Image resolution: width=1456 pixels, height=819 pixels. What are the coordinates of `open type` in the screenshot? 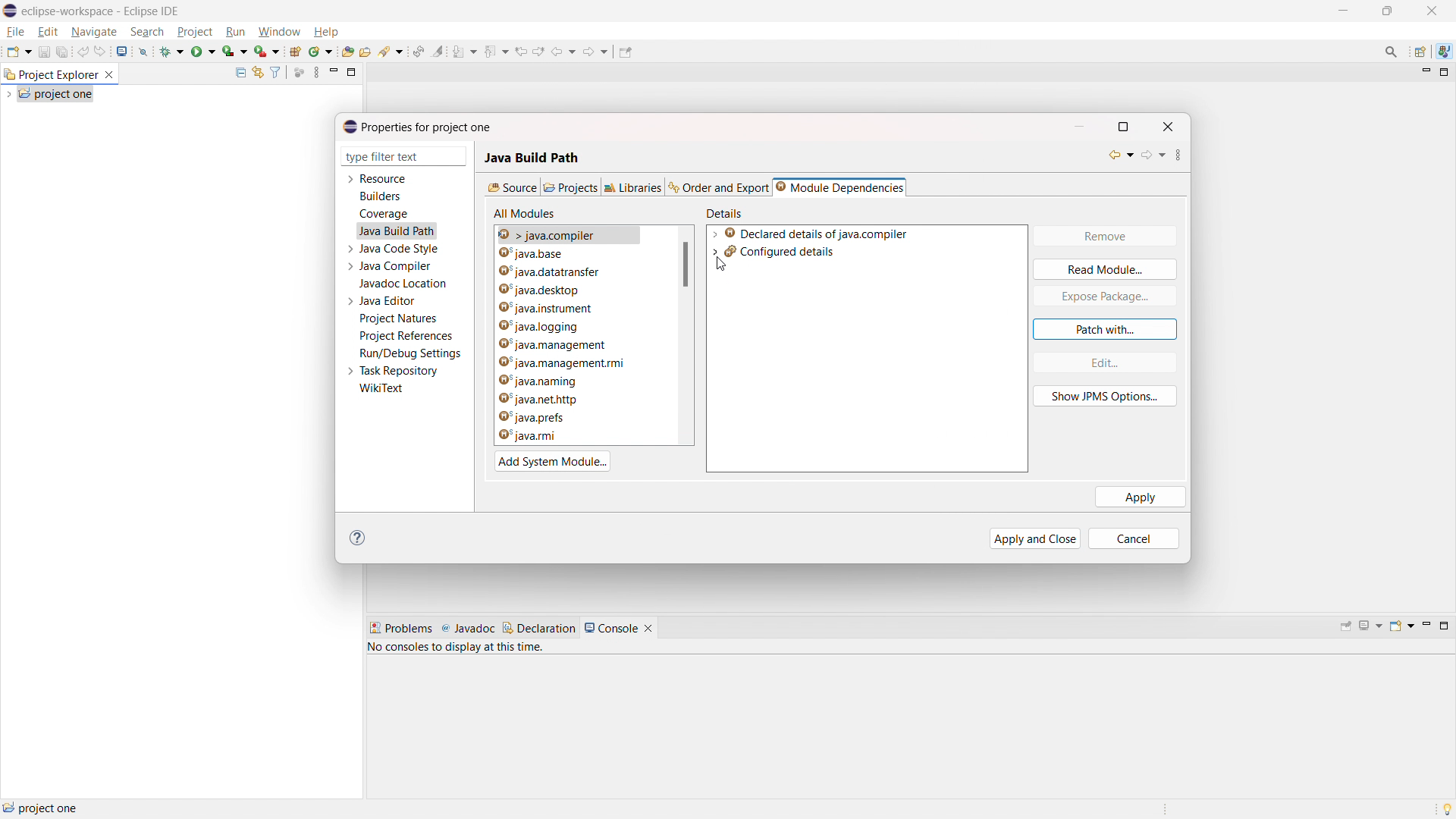 It's located at (348, 51).